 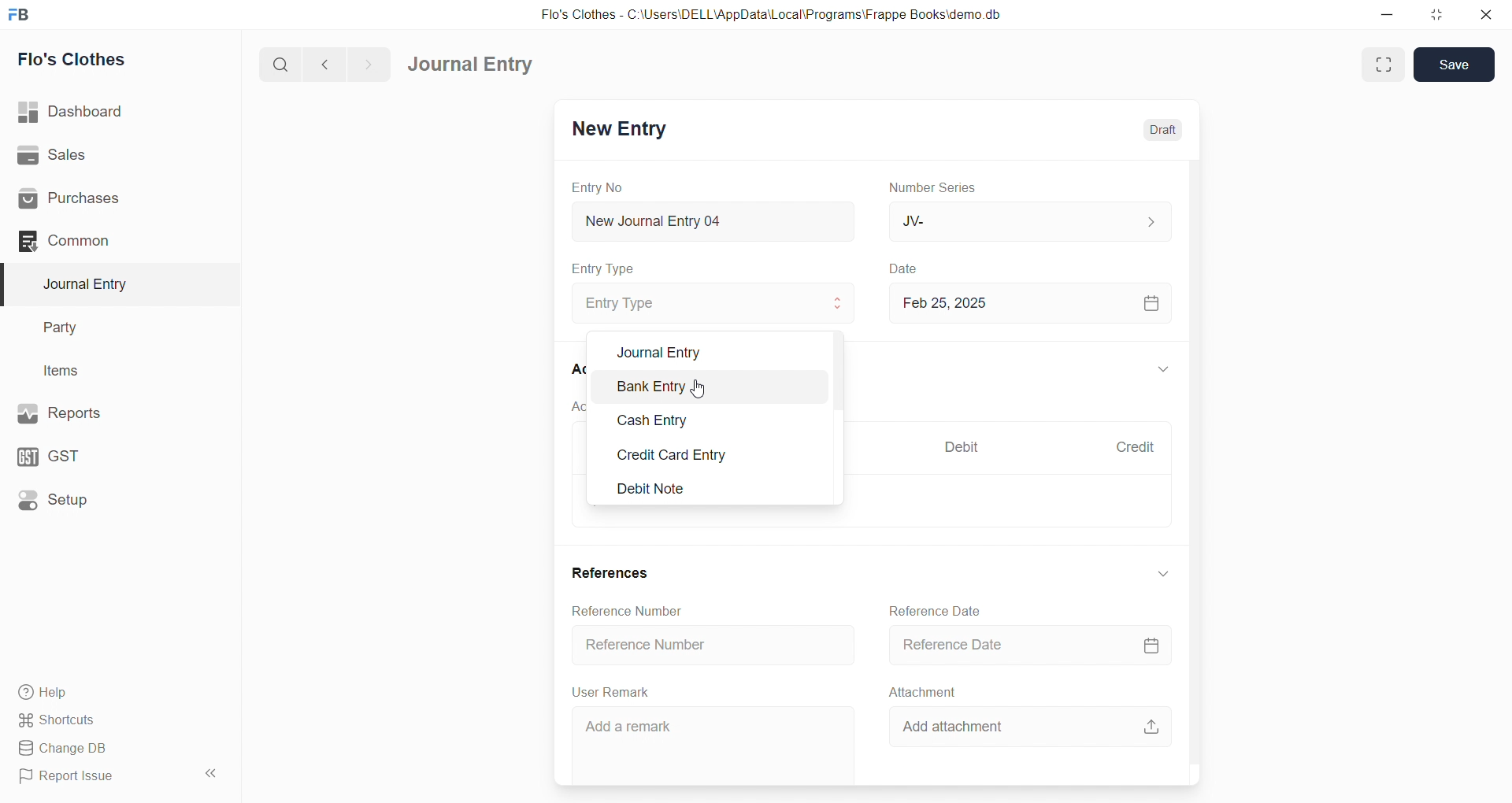 What do you see at coordinates (939, 609) in the screenshot?
I see `Reference Date` at bounding box center [939, 609].